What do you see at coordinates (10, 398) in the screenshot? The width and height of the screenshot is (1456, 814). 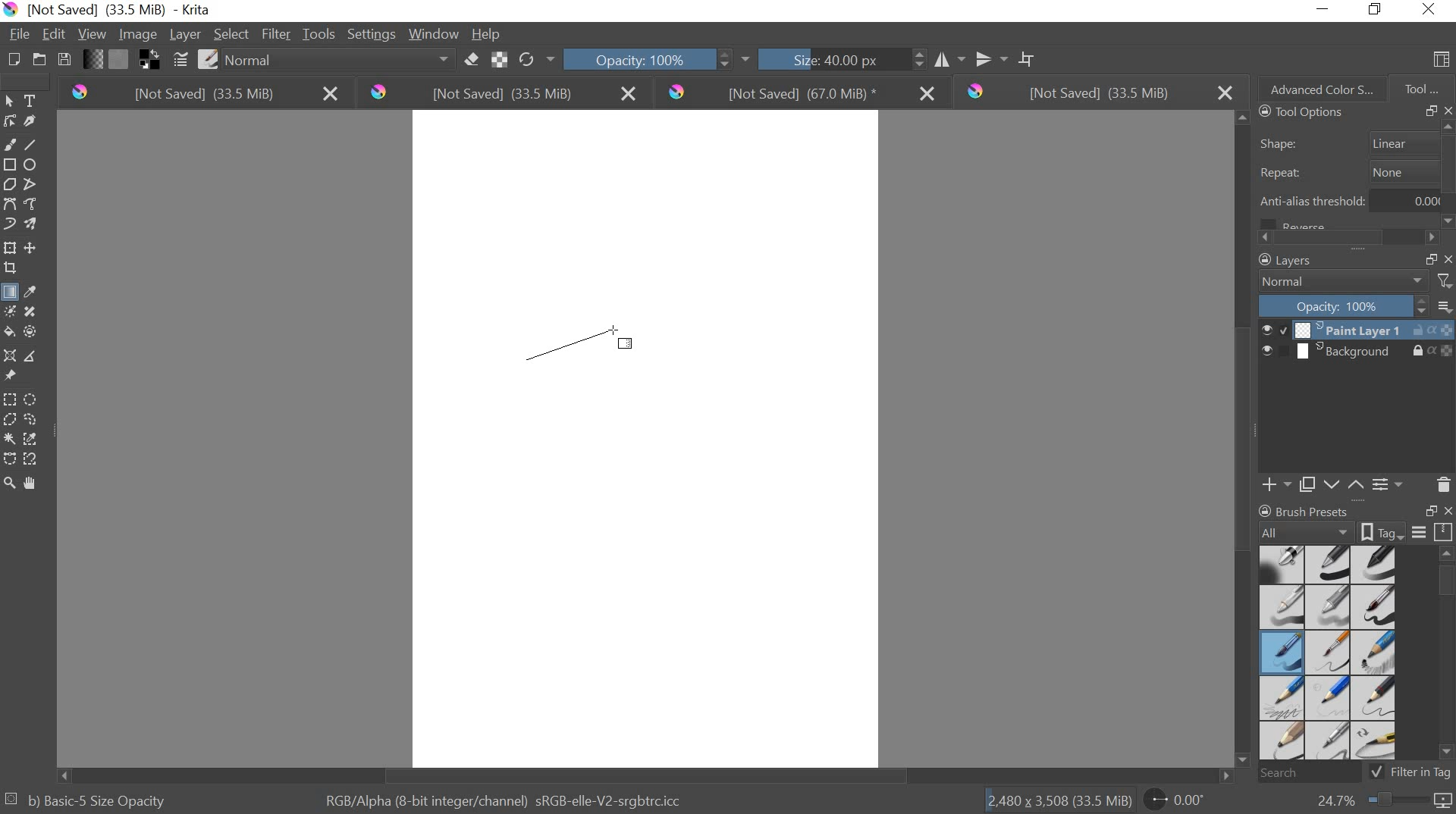 I see `rectangular selection` at bounding box center [10, 398].